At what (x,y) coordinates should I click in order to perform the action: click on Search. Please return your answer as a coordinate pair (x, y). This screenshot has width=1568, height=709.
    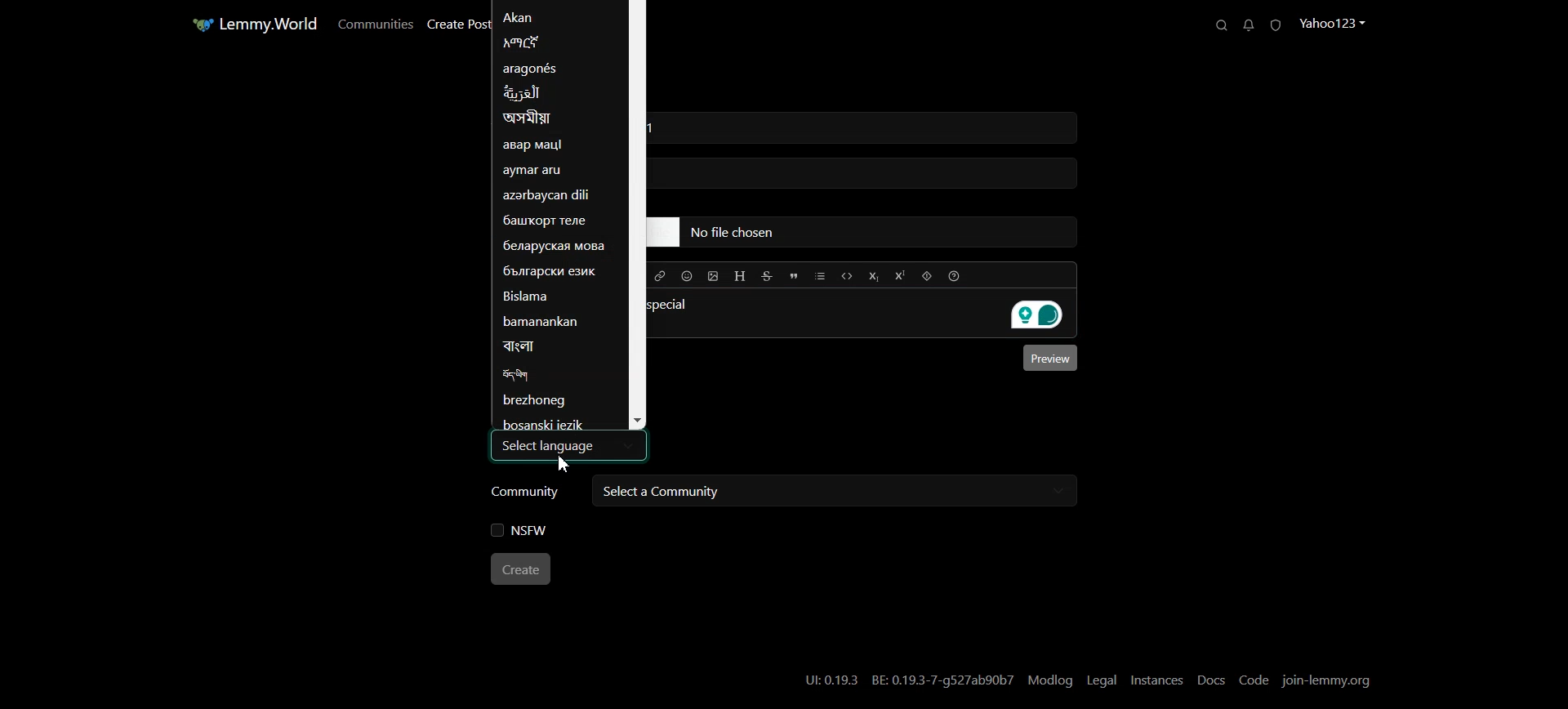
    Looking at the image, I should click on (1217, 25).